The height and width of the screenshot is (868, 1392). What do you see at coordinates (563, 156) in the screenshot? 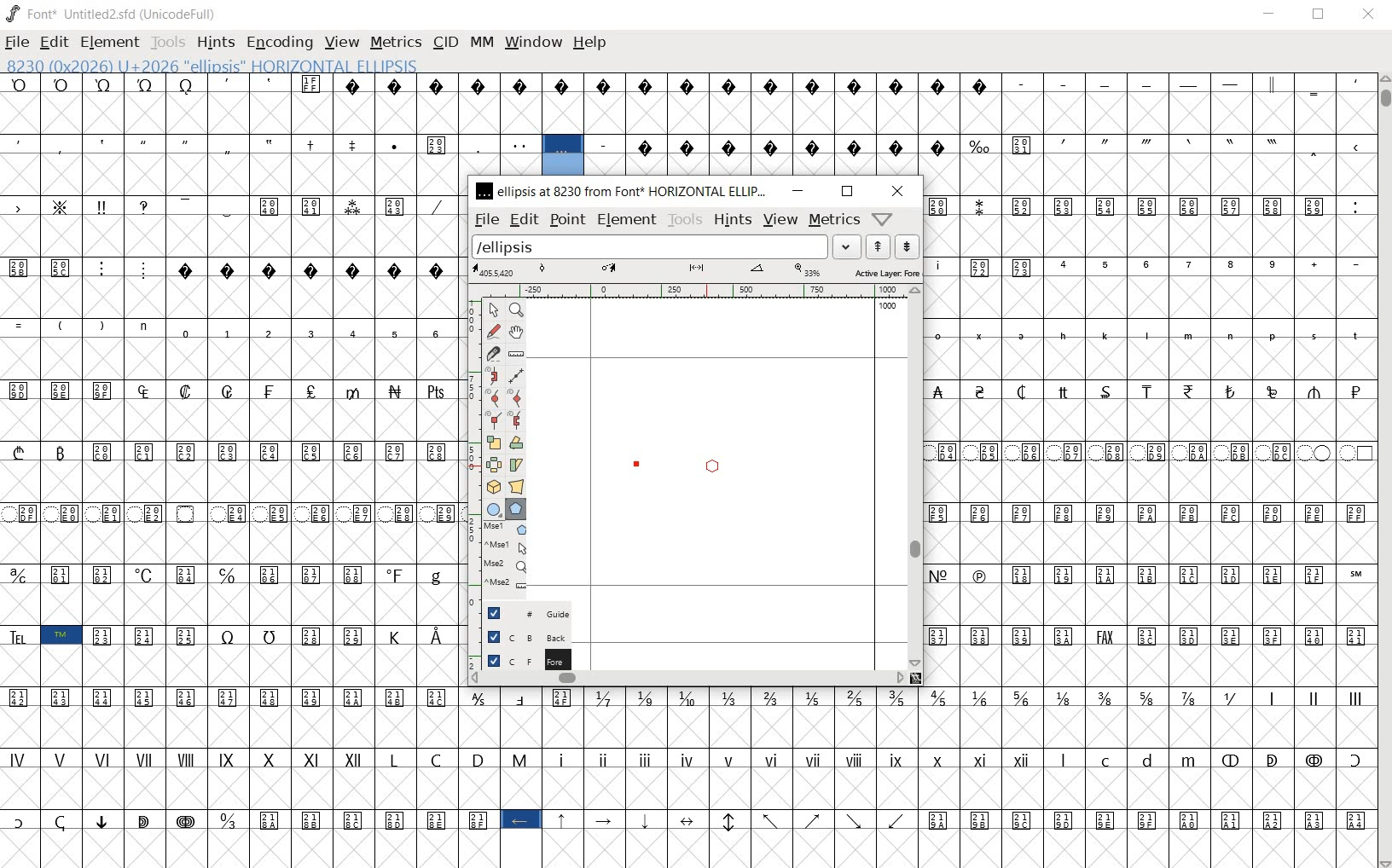
I see `8230 (0x2026) U+2026 "ELLIPSIS" HORIZONTAL ELLIPSIS` at bounding box center [563, 156].